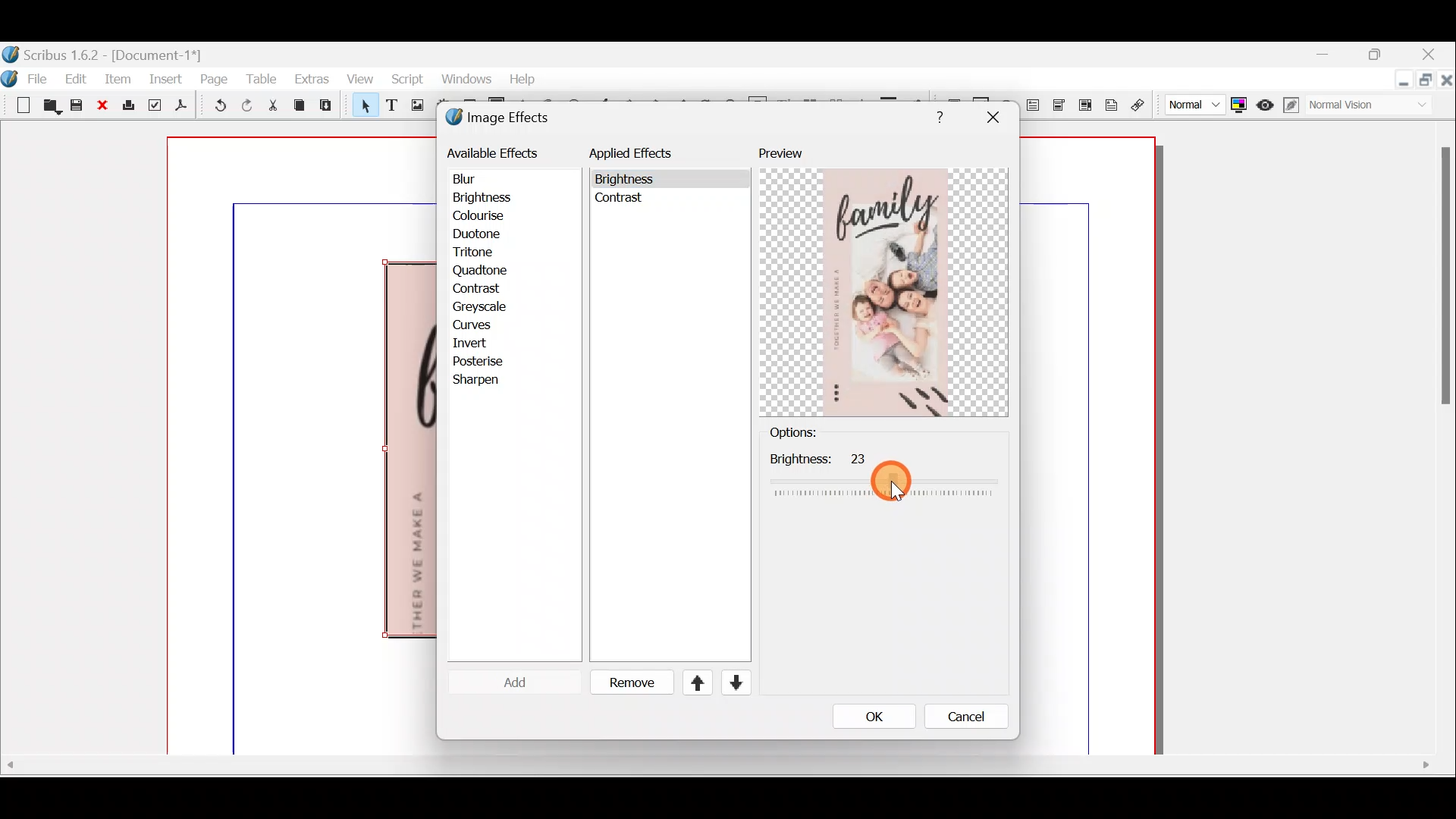 The image size is (1456, 819). Describe the element at coordinates (480, 236) in the screenshot. I see `Duotone` at that location.